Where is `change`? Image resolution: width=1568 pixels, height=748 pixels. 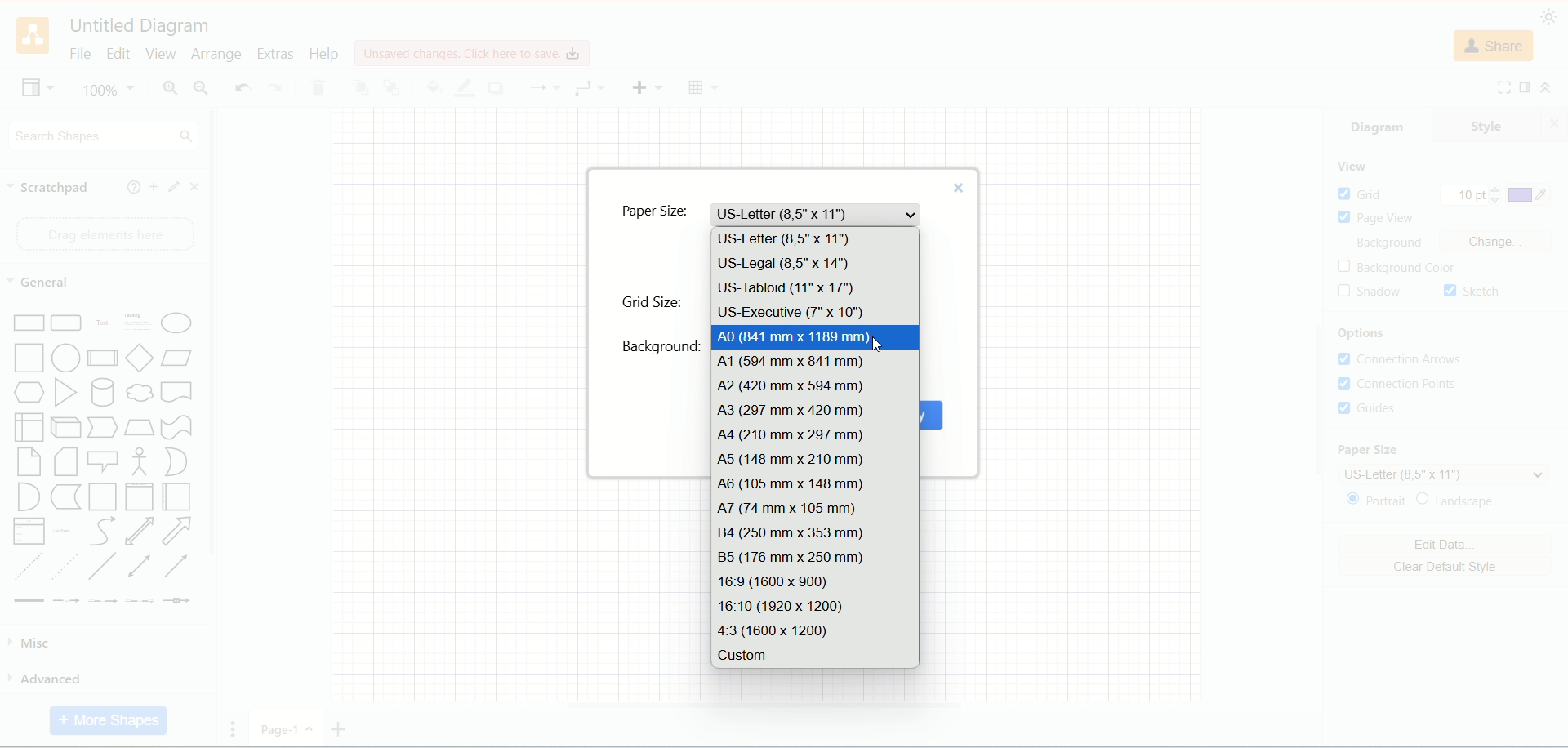
change is located at coordinates (1501, 243).